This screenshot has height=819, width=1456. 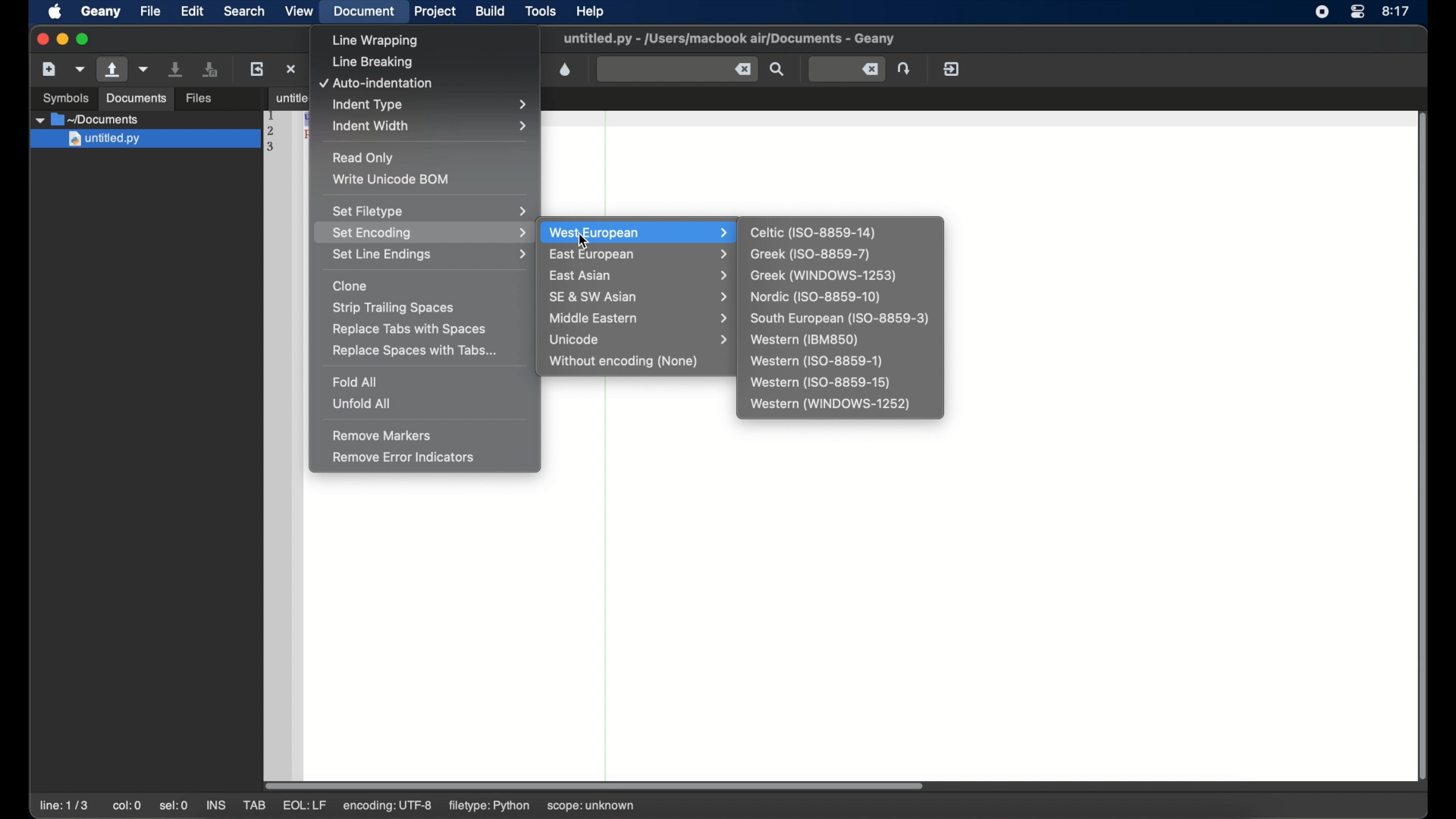 What do you see at coordinates (1321, 12) in the screenshot?
I see `screen recorder icon` at bounding box center [1321, 12].